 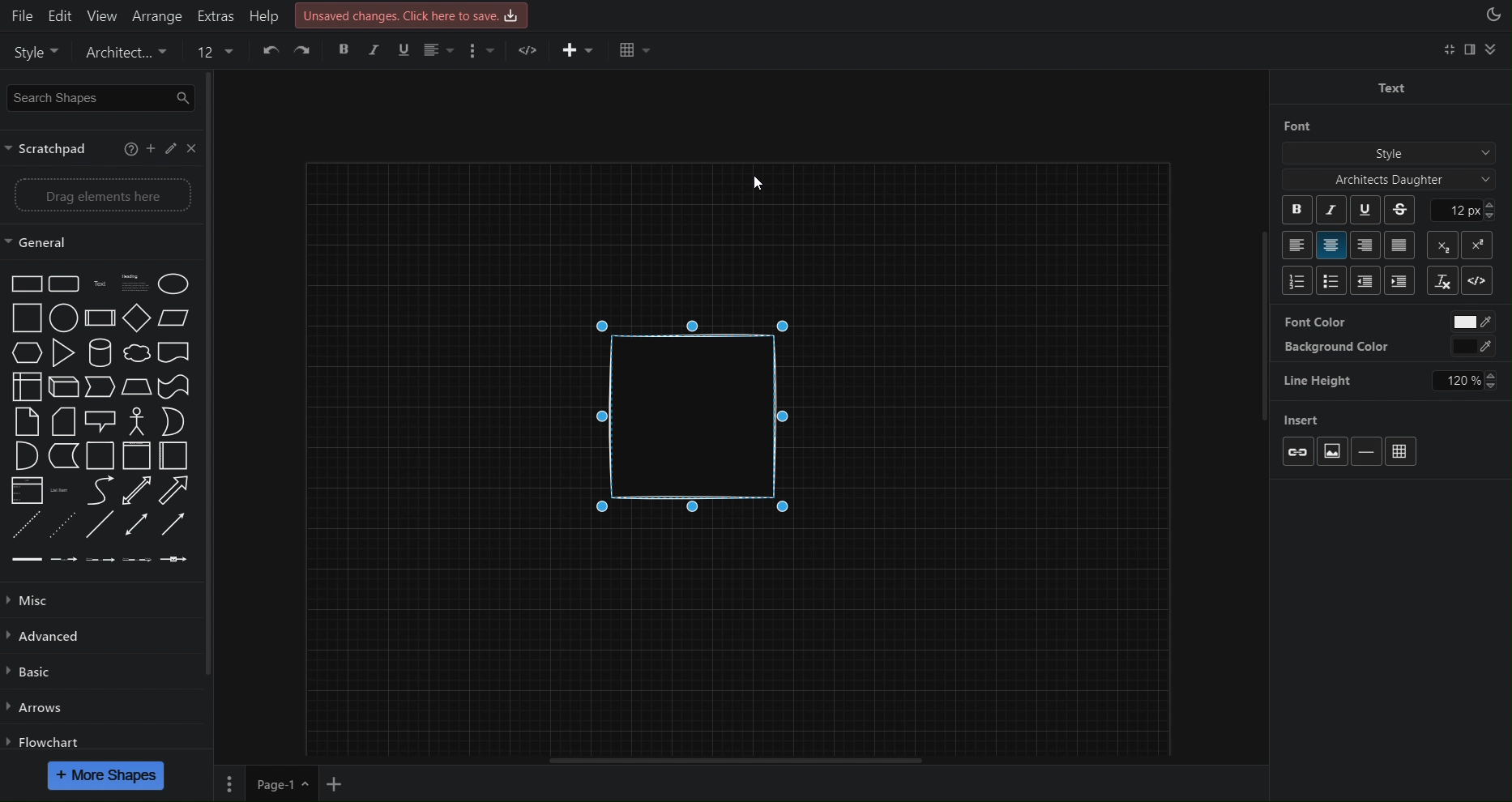 What do you see at coordinates (1387, 151) in the screenshot?
I see `Style` at bounding box center [1387, 151].